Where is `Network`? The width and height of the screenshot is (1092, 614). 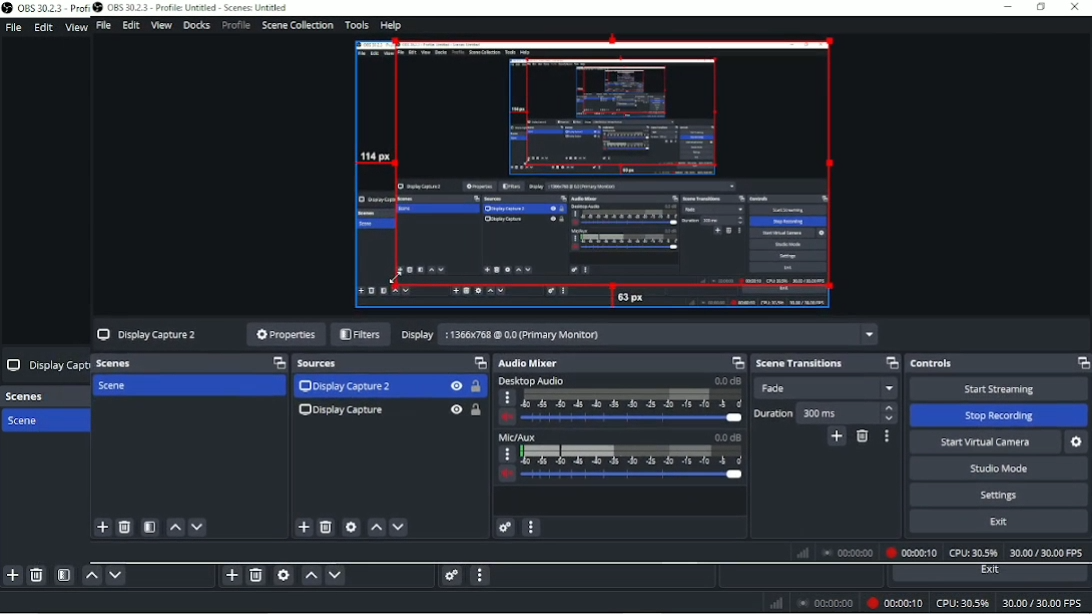
Network is located at coordinates (777, 602).